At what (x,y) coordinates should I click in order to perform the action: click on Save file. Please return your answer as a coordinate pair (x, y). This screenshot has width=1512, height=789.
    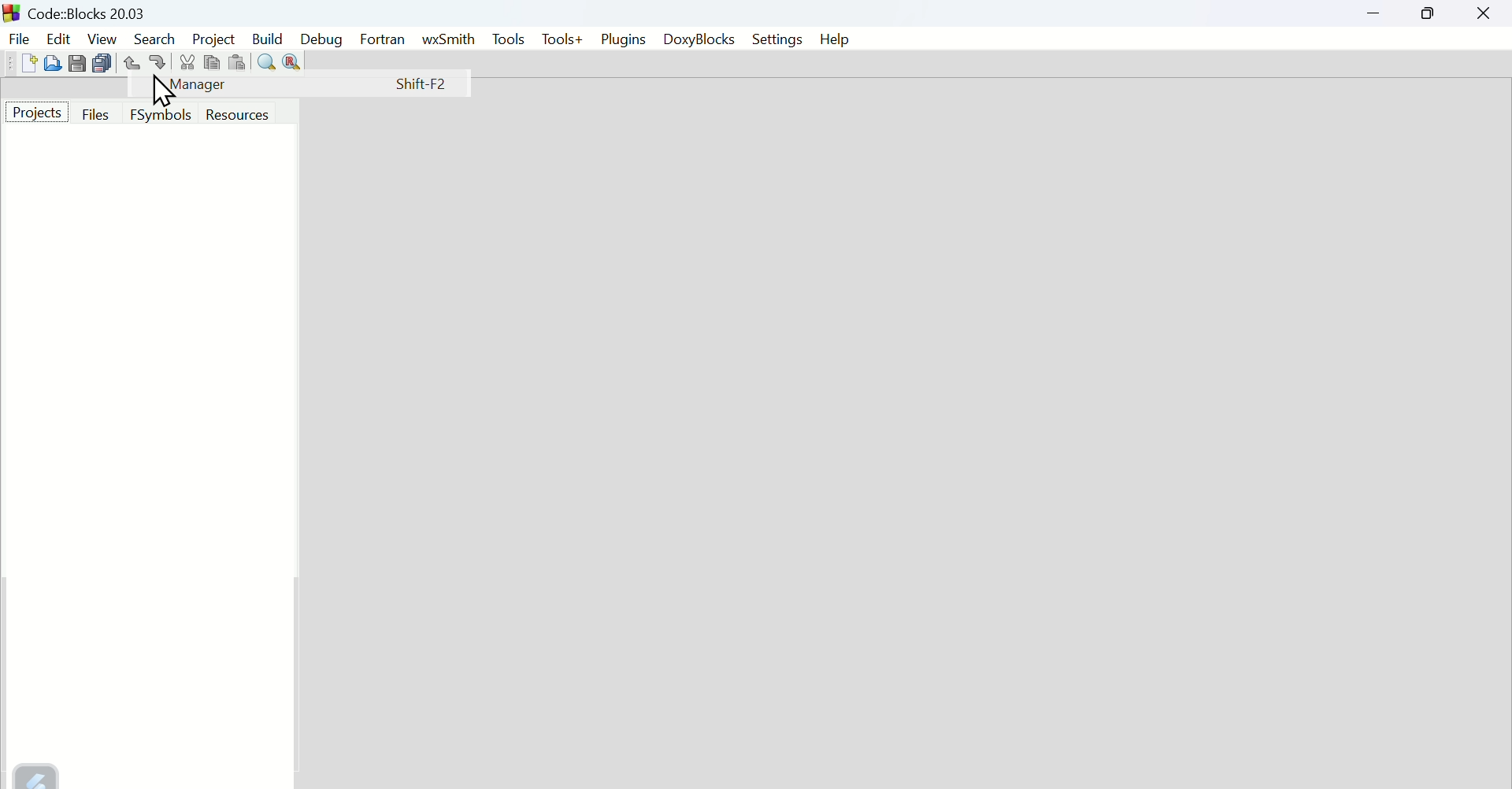
    Looking at the image, I should click on (78, 62).